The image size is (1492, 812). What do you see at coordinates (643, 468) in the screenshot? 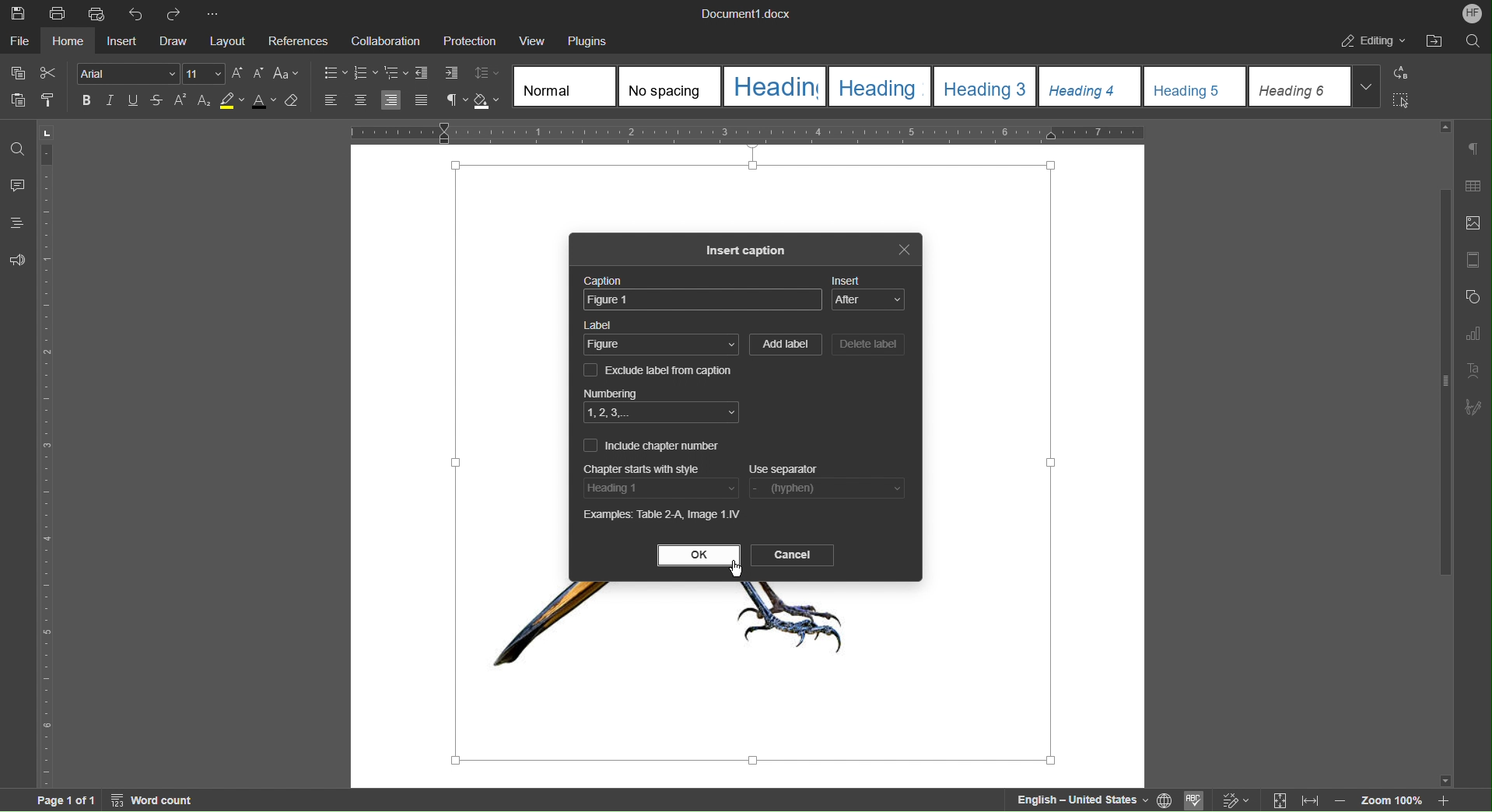
I see `Chapter starts with style` at bounding box center [643, 468].